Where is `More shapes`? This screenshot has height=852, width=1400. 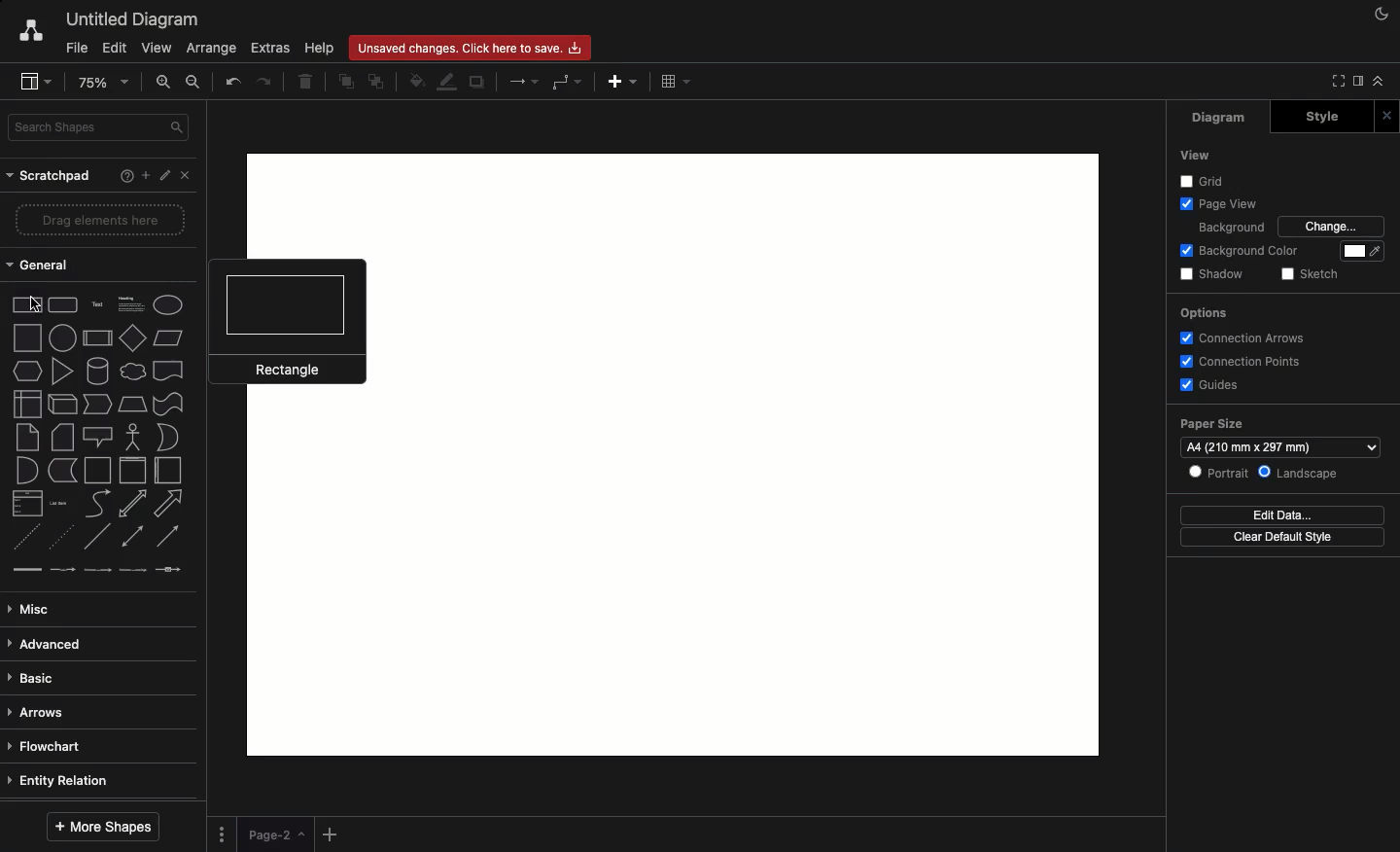 More shapes is located at coordinates (107, 826).